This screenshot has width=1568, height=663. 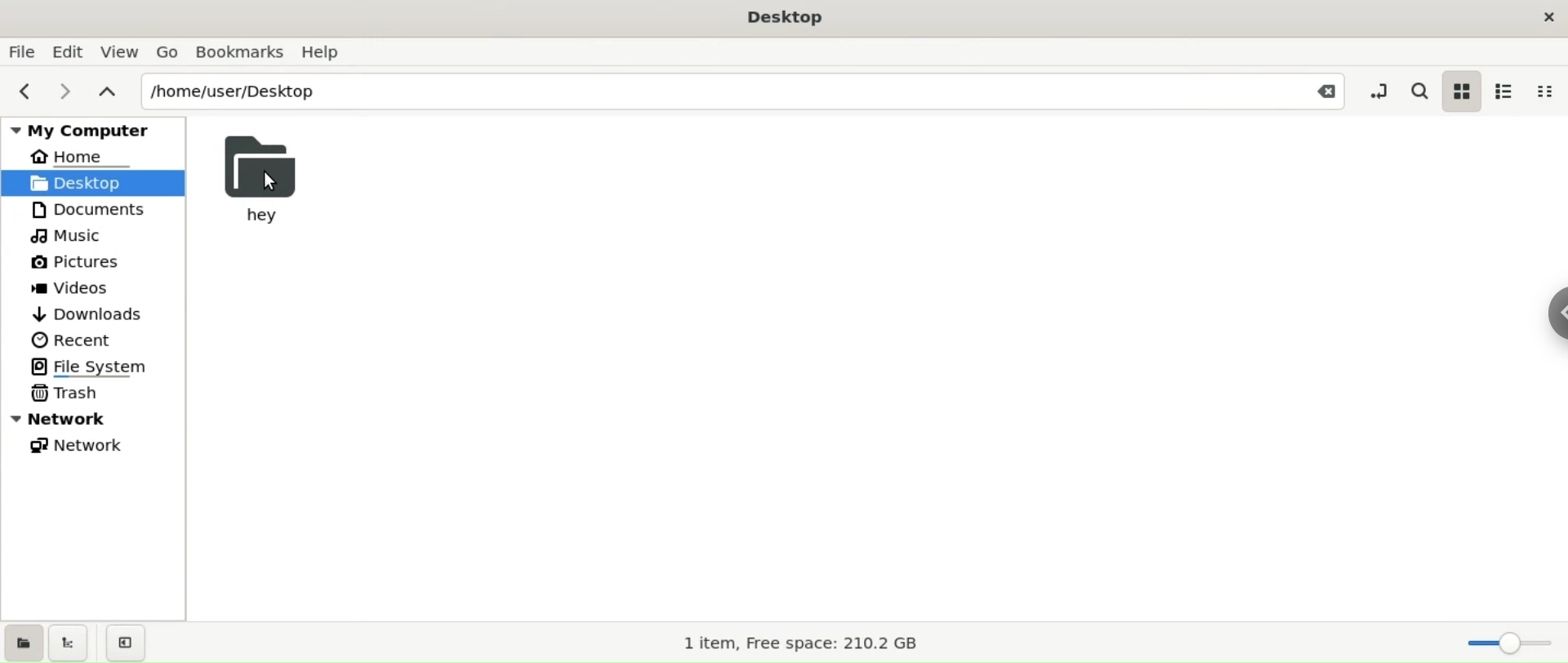 I want to click on Music, so click(x=69, y=238).